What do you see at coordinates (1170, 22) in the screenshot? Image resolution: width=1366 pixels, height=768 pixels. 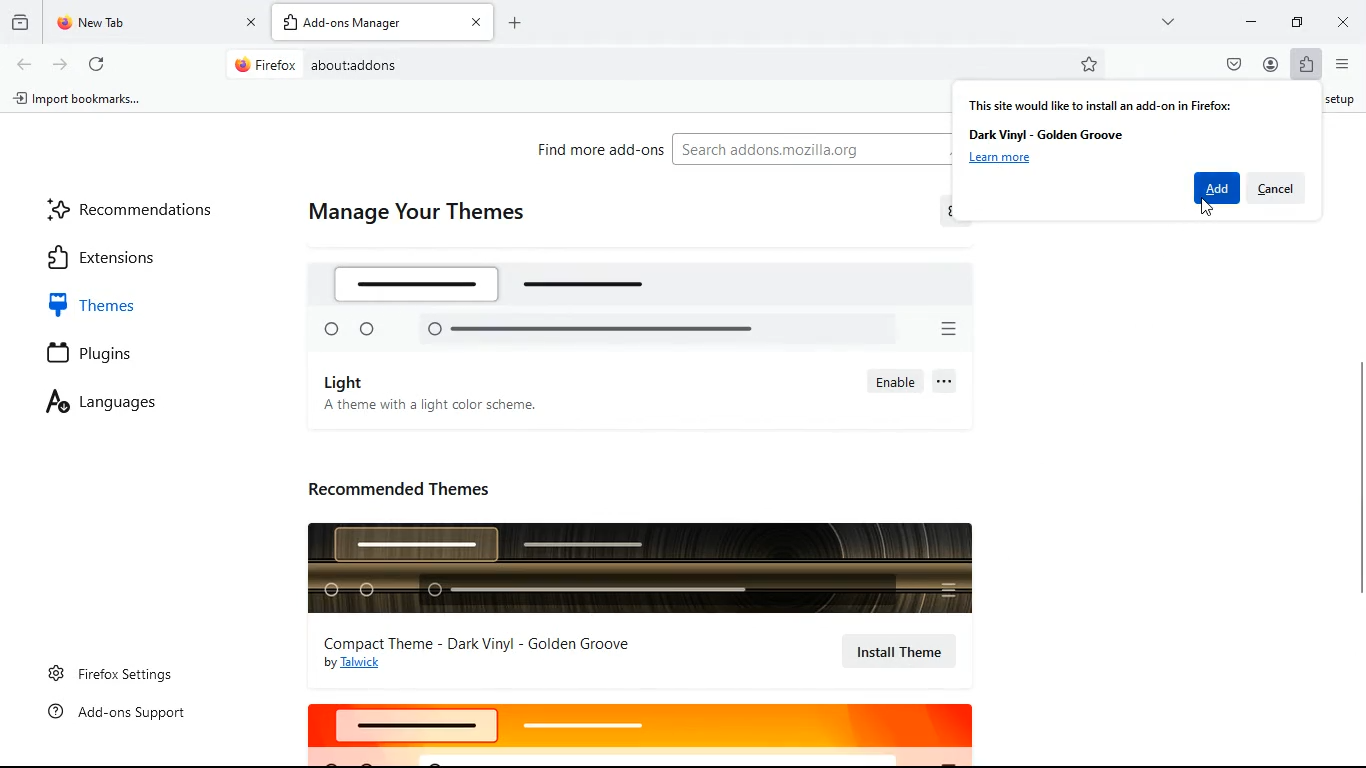 I see `more` at bounding box center [1170, 22].